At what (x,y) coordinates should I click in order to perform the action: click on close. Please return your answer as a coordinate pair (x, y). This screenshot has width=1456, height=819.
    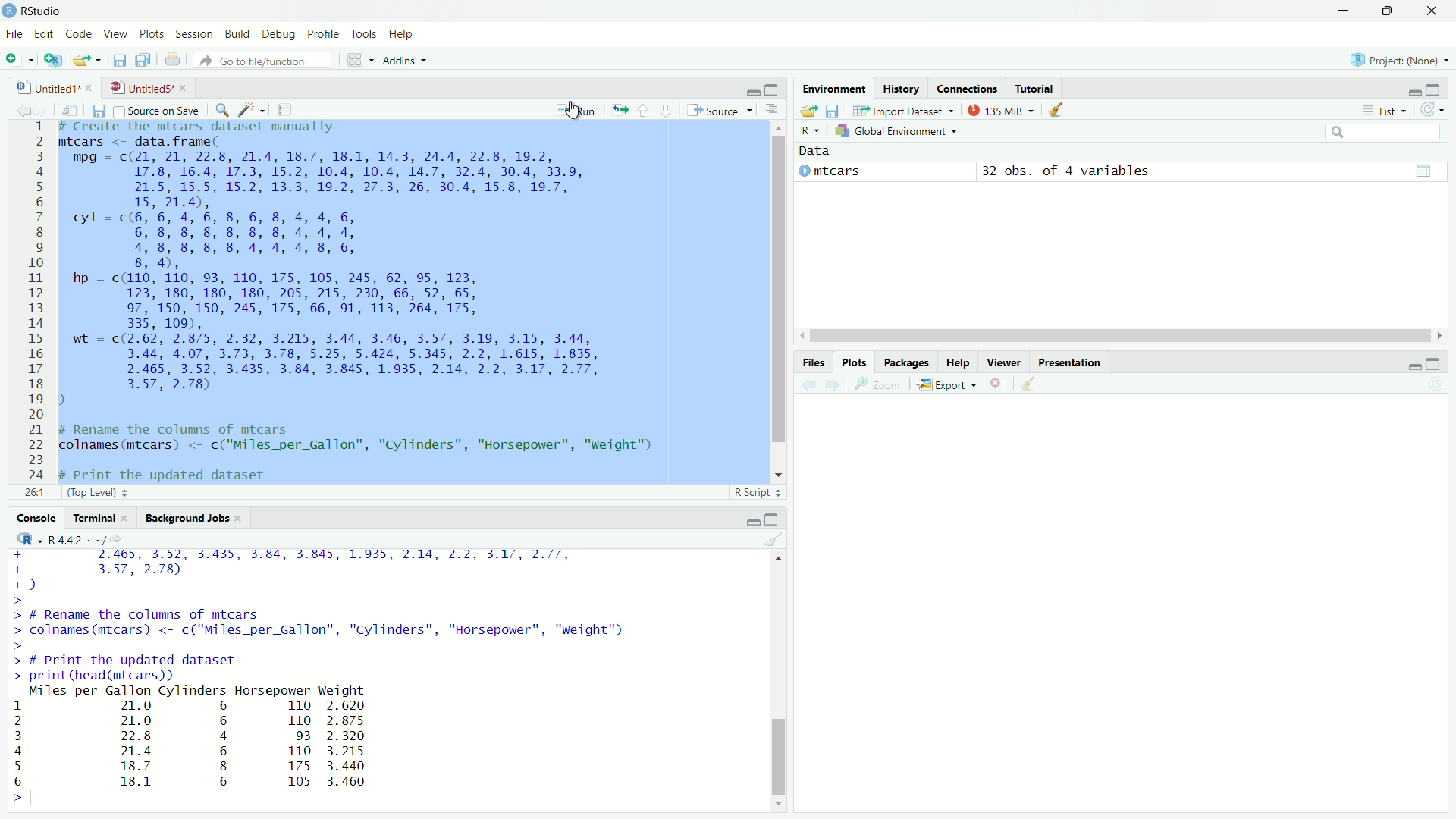
    Looking at the image, I should click on (997, 386).